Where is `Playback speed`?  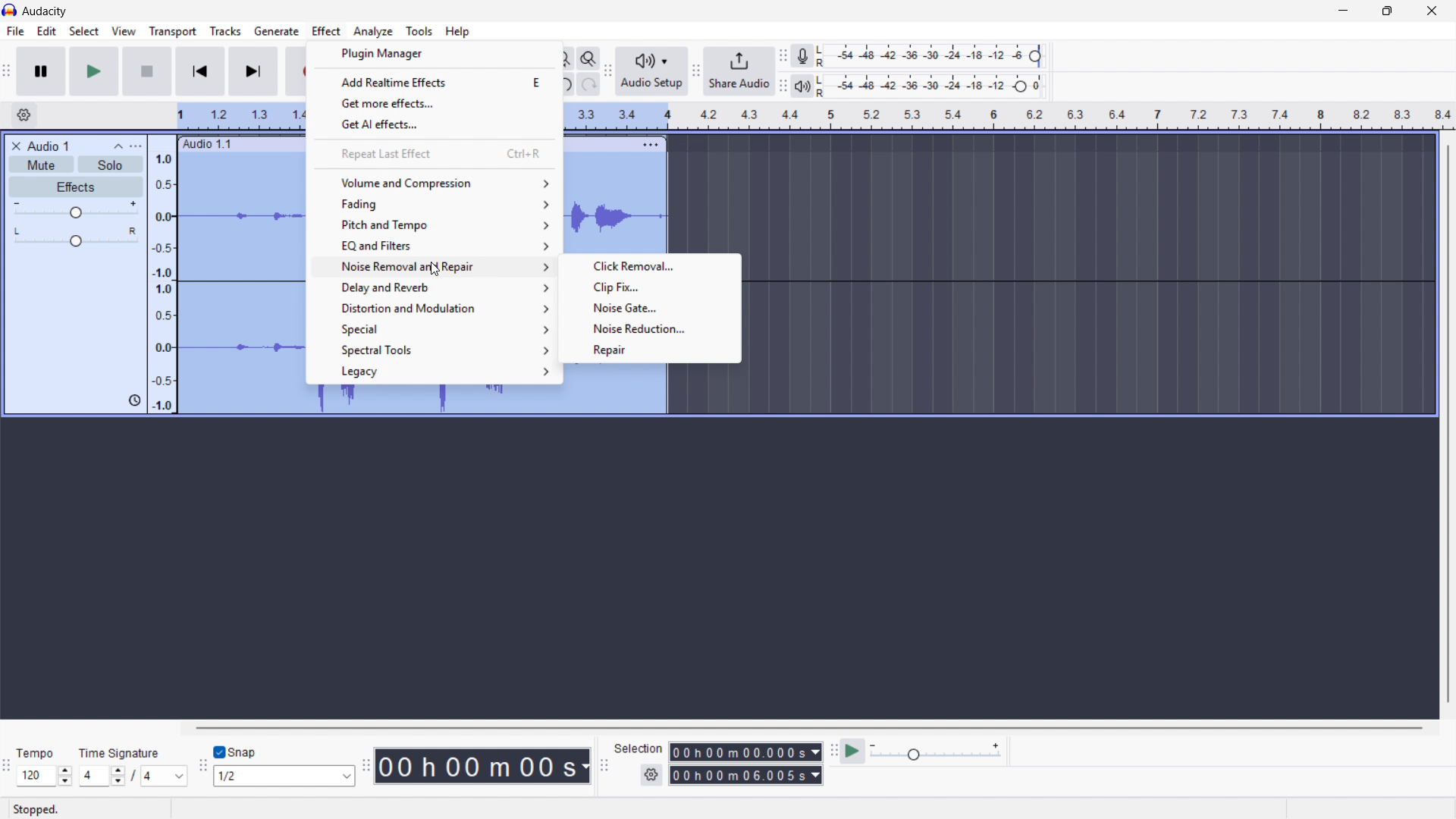 Playback speed is located at coordinates (935, 753).